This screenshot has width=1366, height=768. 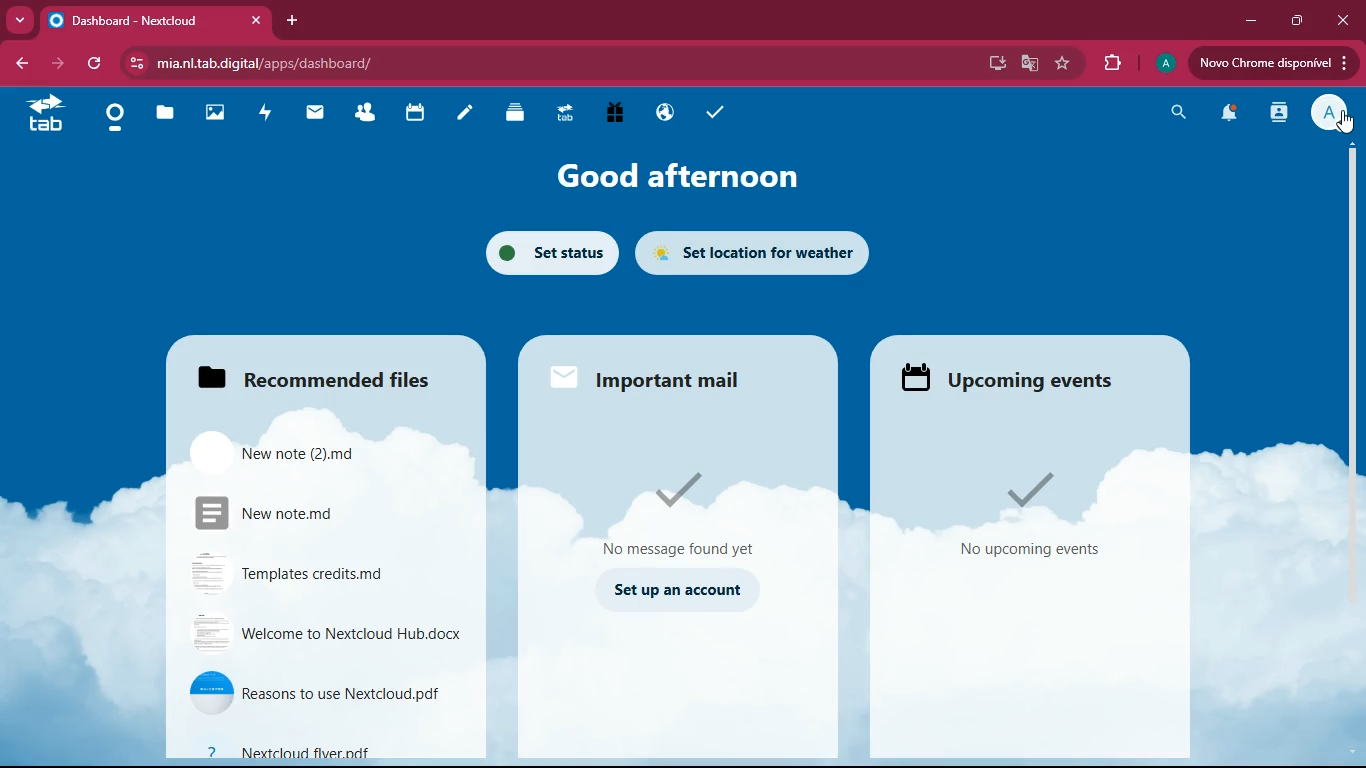 What do you see at coordinates (320, 693) in the screenshot?
I see `file` at bounding box center [320, 693].